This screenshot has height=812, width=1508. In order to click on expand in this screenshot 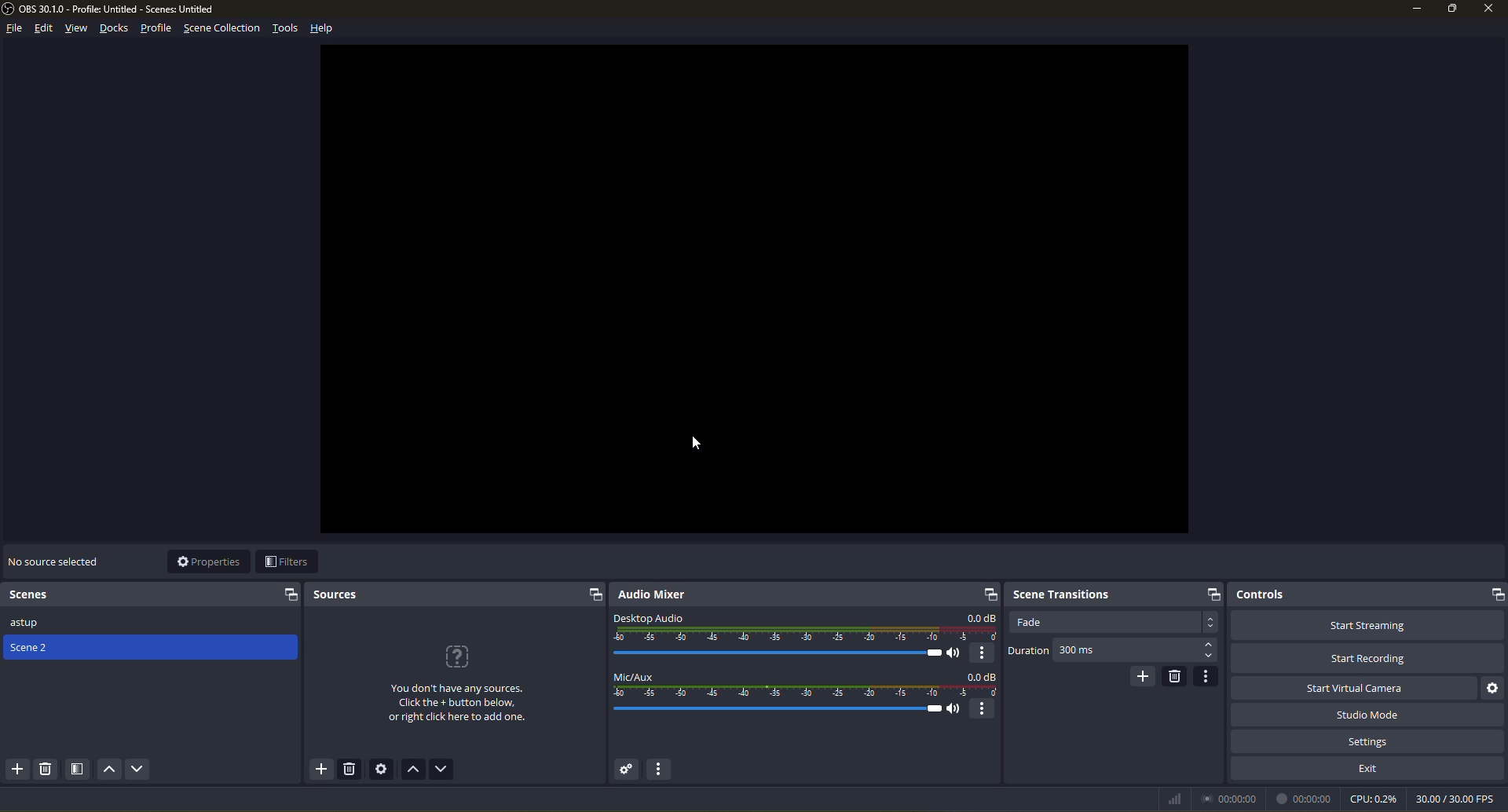, I will do `click(1213, 594)`.